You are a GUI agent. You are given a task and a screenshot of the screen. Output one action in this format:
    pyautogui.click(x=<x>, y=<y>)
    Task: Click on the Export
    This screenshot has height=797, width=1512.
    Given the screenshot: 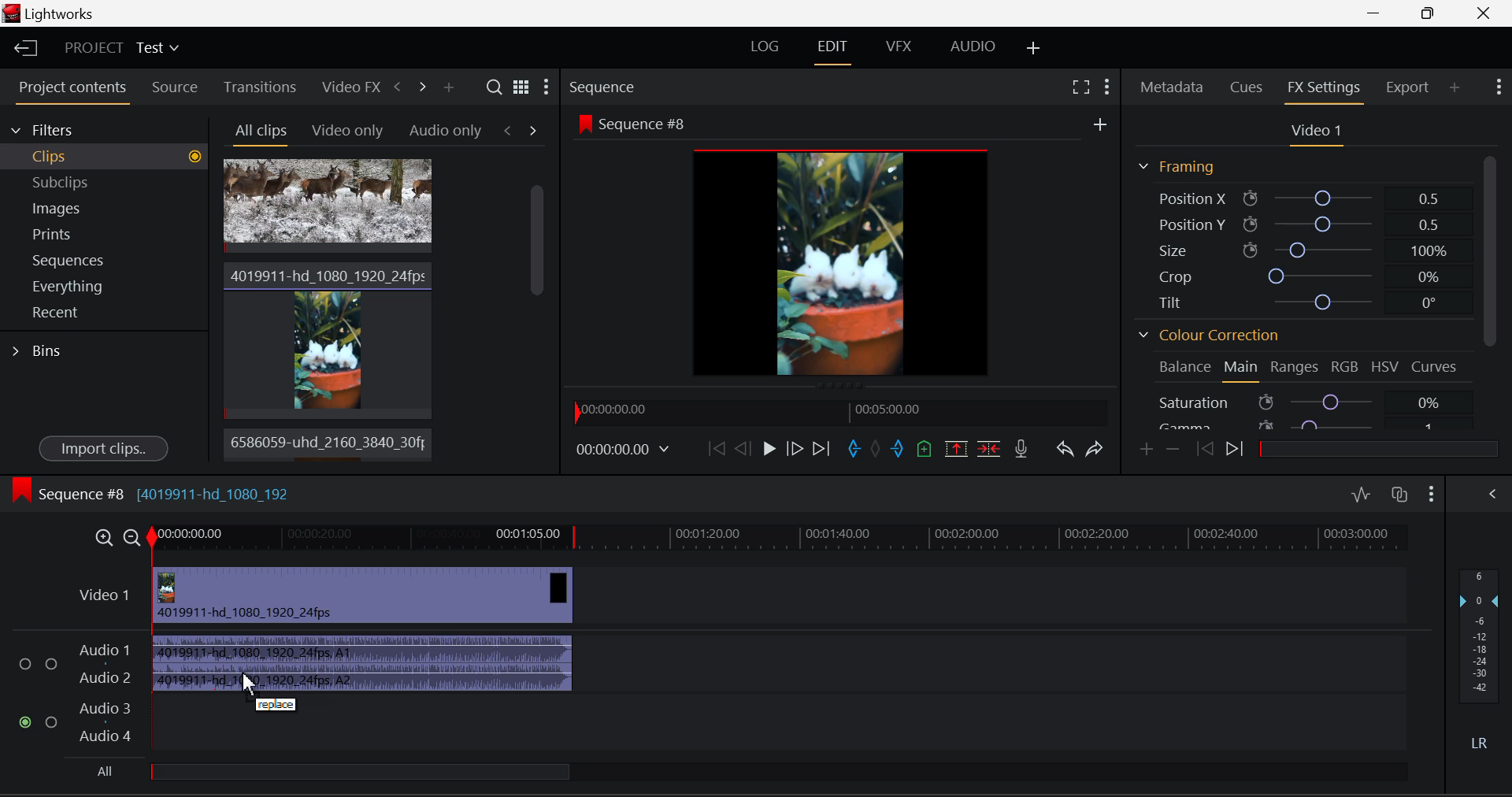 What is the action you would take?
    pyautogui.click(x=1406, y=87)
    